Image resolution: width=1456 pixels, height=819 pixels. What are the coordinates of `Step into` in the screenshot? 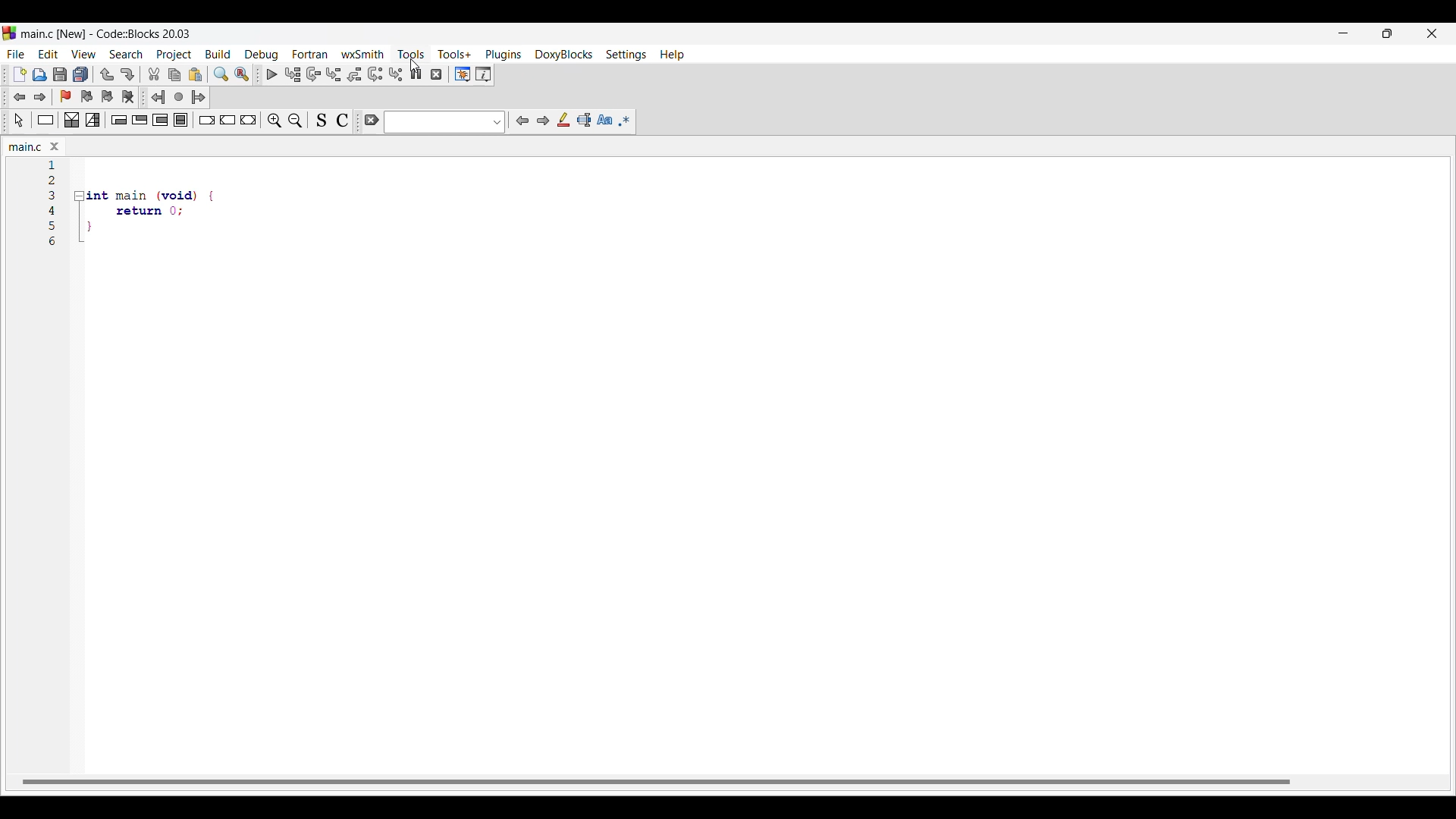 It's located at (334, 74).